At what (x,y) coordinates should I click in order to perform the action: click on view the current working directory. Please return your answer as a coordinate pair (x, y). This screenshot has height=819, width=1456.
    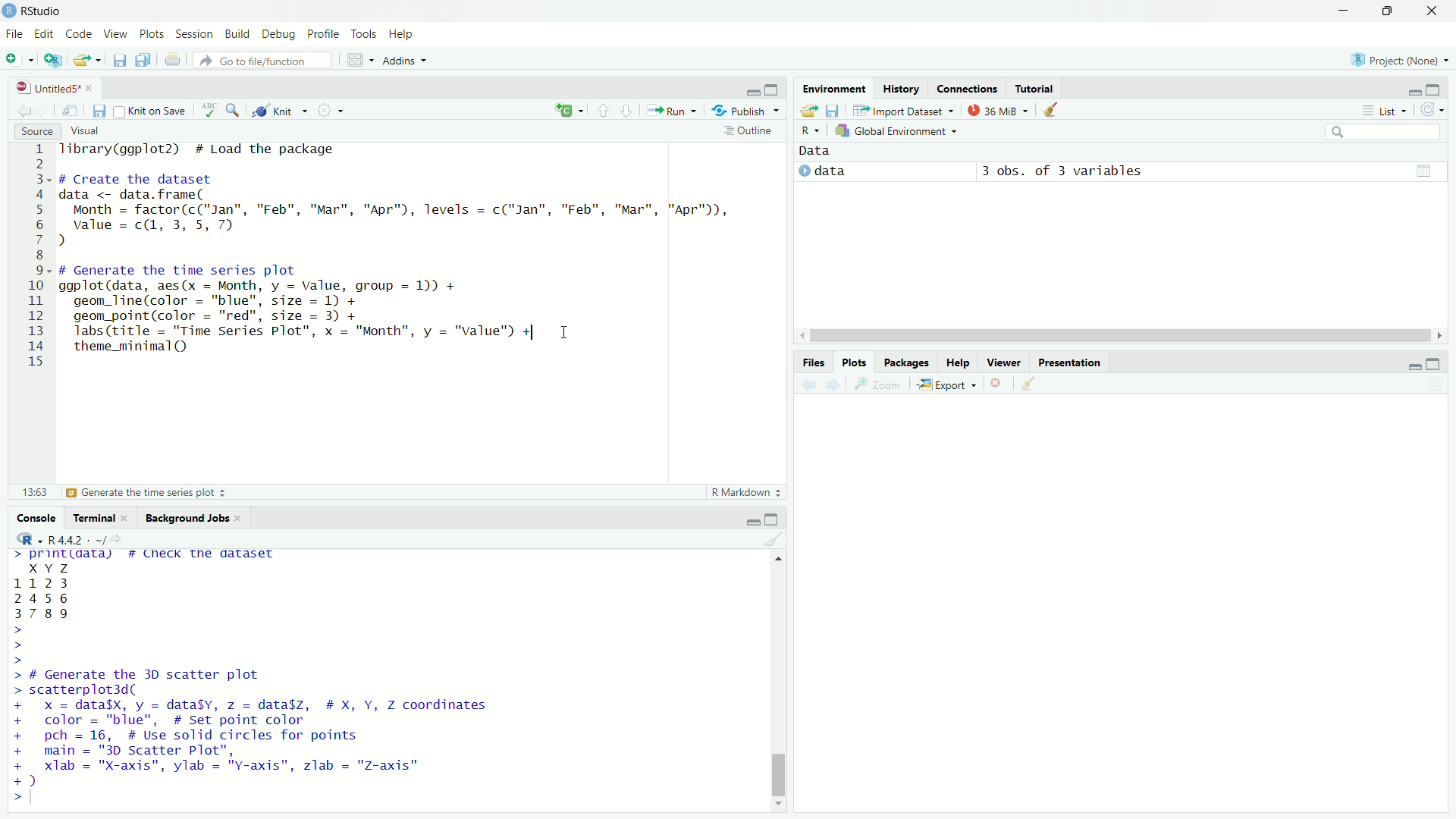
    Looking at the image, I should click on (118, 538).